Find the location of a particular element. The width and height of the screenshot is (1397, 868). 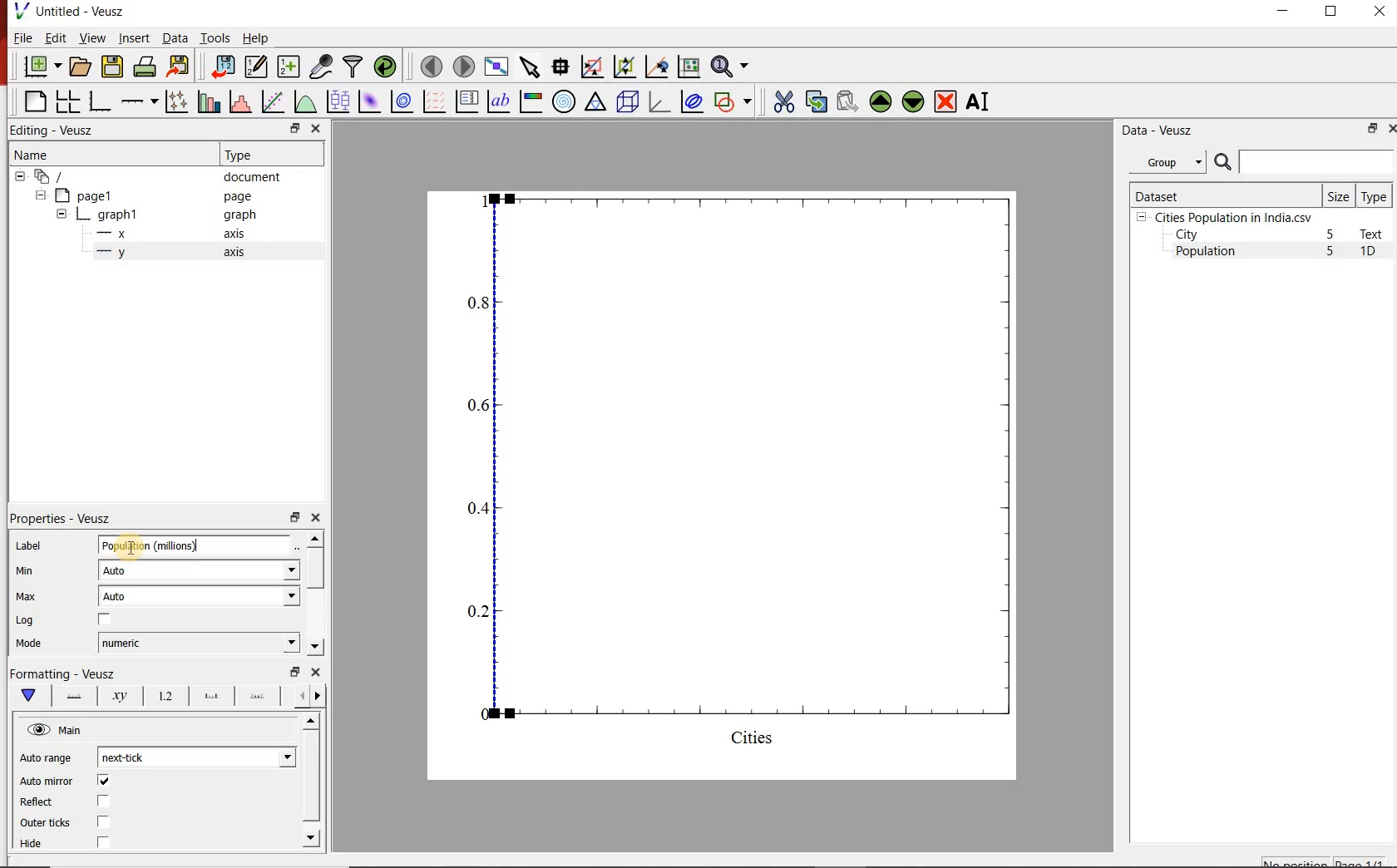

click to zoom out of graph axes is located at coordinates (622, 68).